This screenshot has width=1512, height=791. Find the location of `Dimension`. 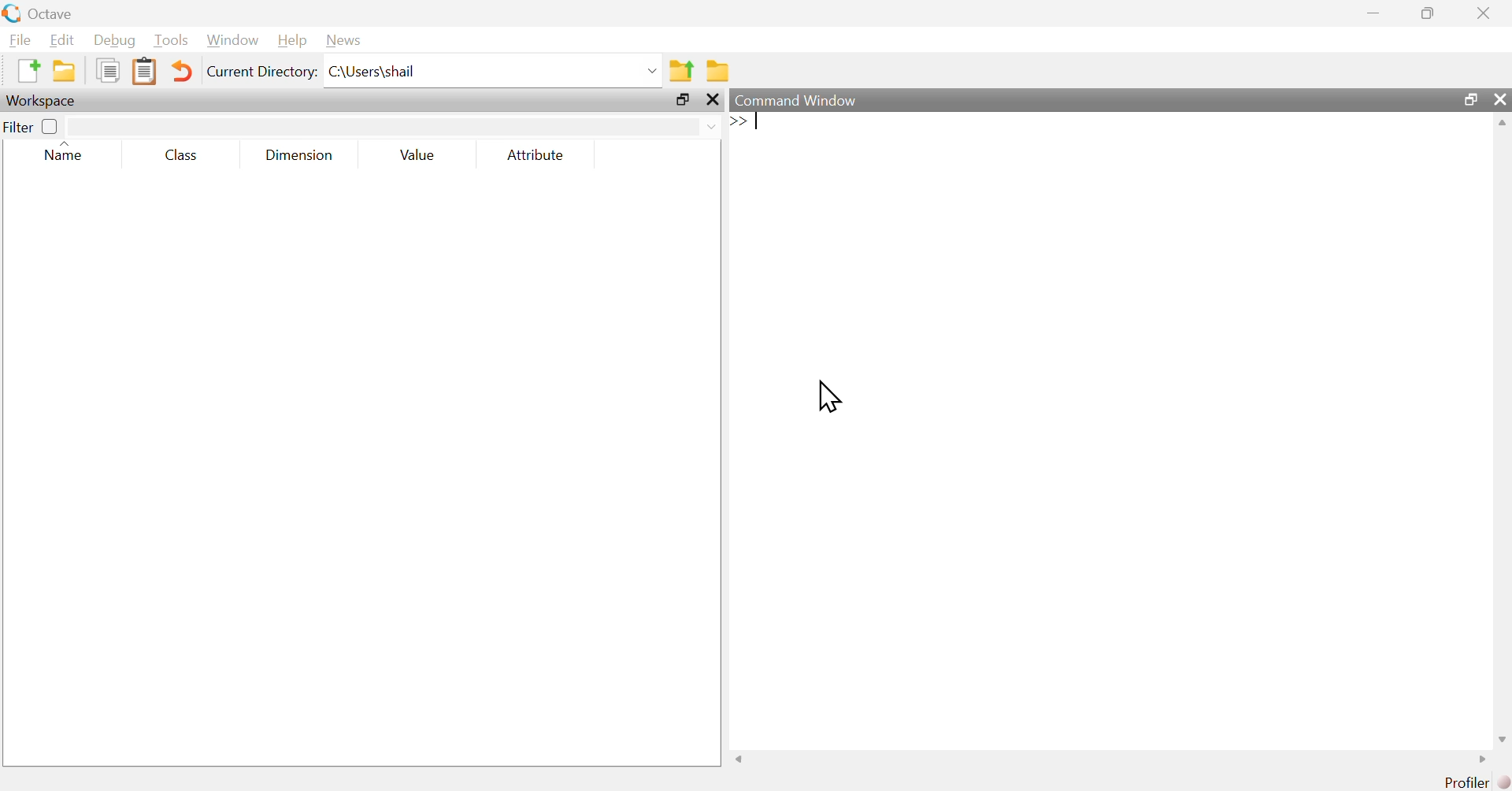

Dimension is located at coordinates (299, 155).